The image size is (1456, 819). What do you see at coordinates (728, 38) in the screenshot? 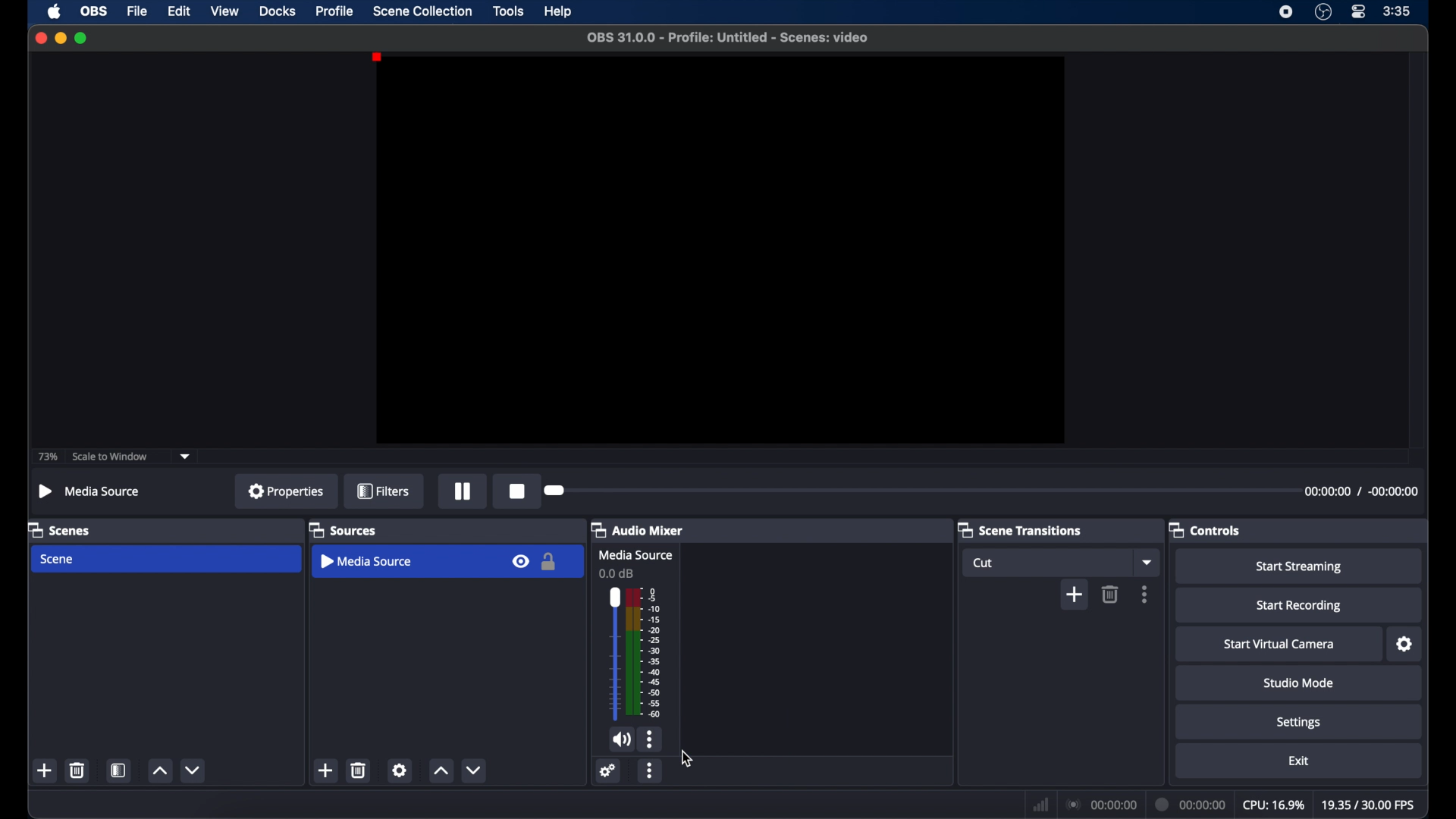
I see `file name` at bounding box center [728, 38].